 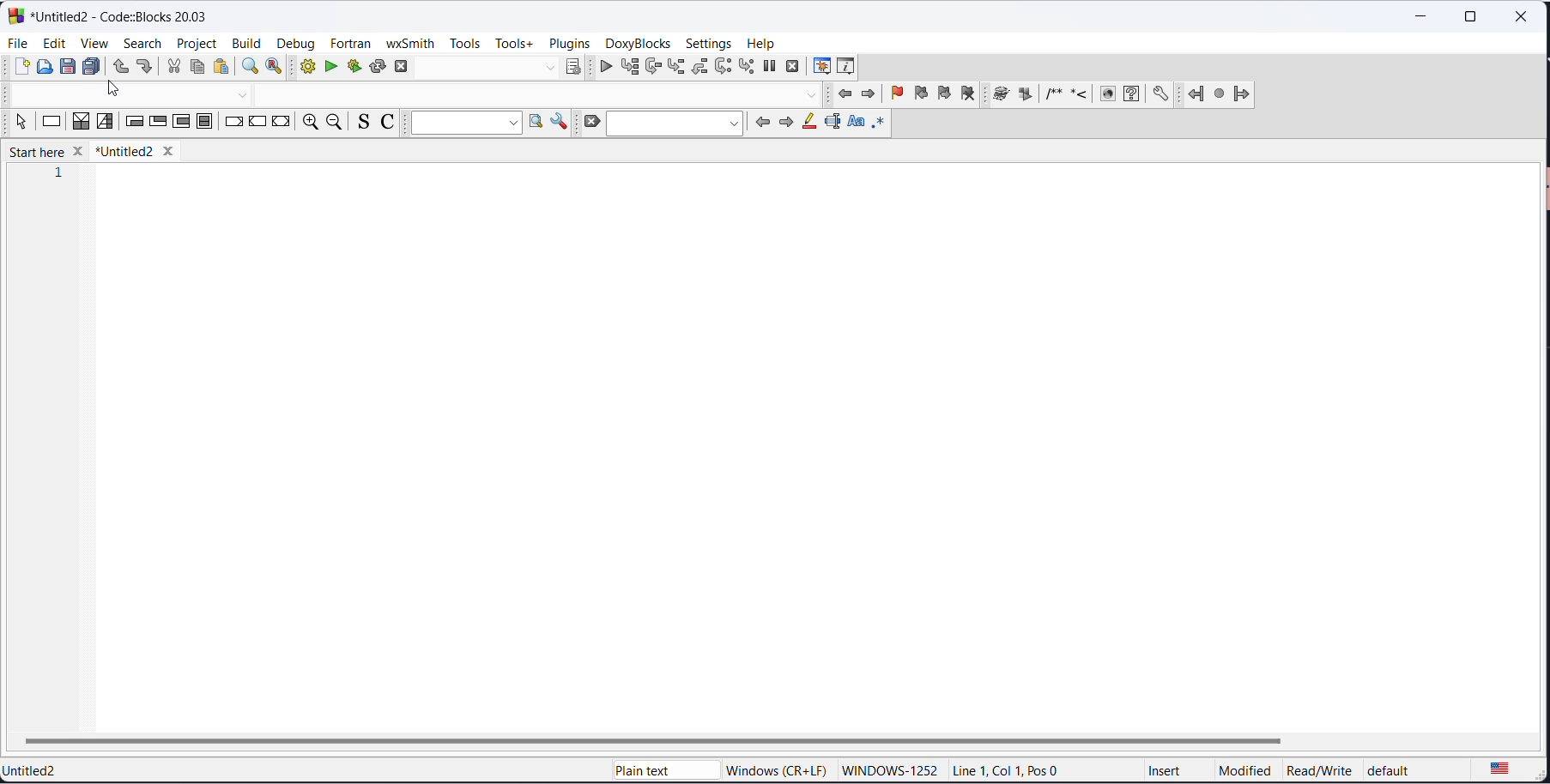 I want to click on highlight, so click(x=809, y=125).